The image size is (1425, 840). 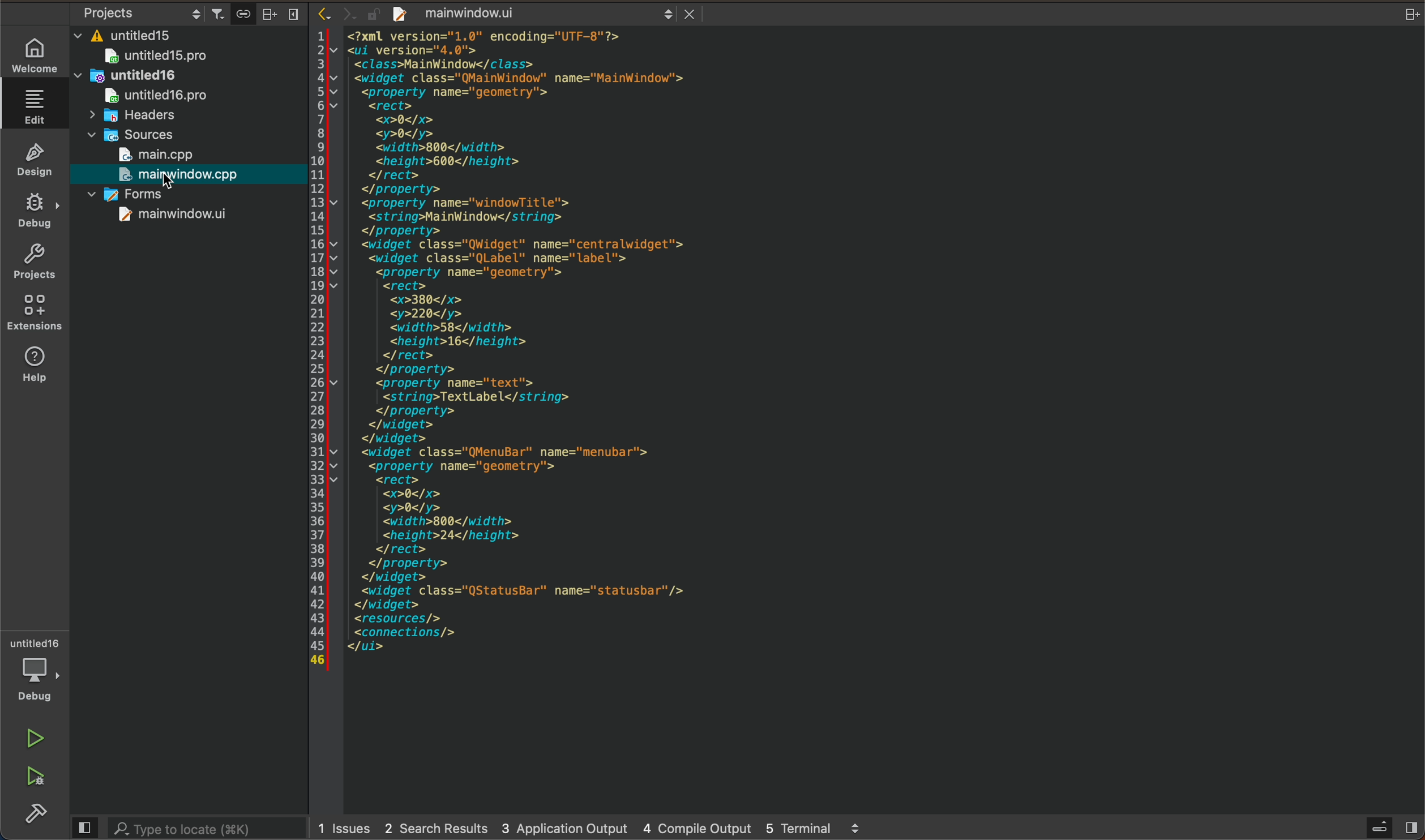 I want to click on debug, so click(x=32, y=209).